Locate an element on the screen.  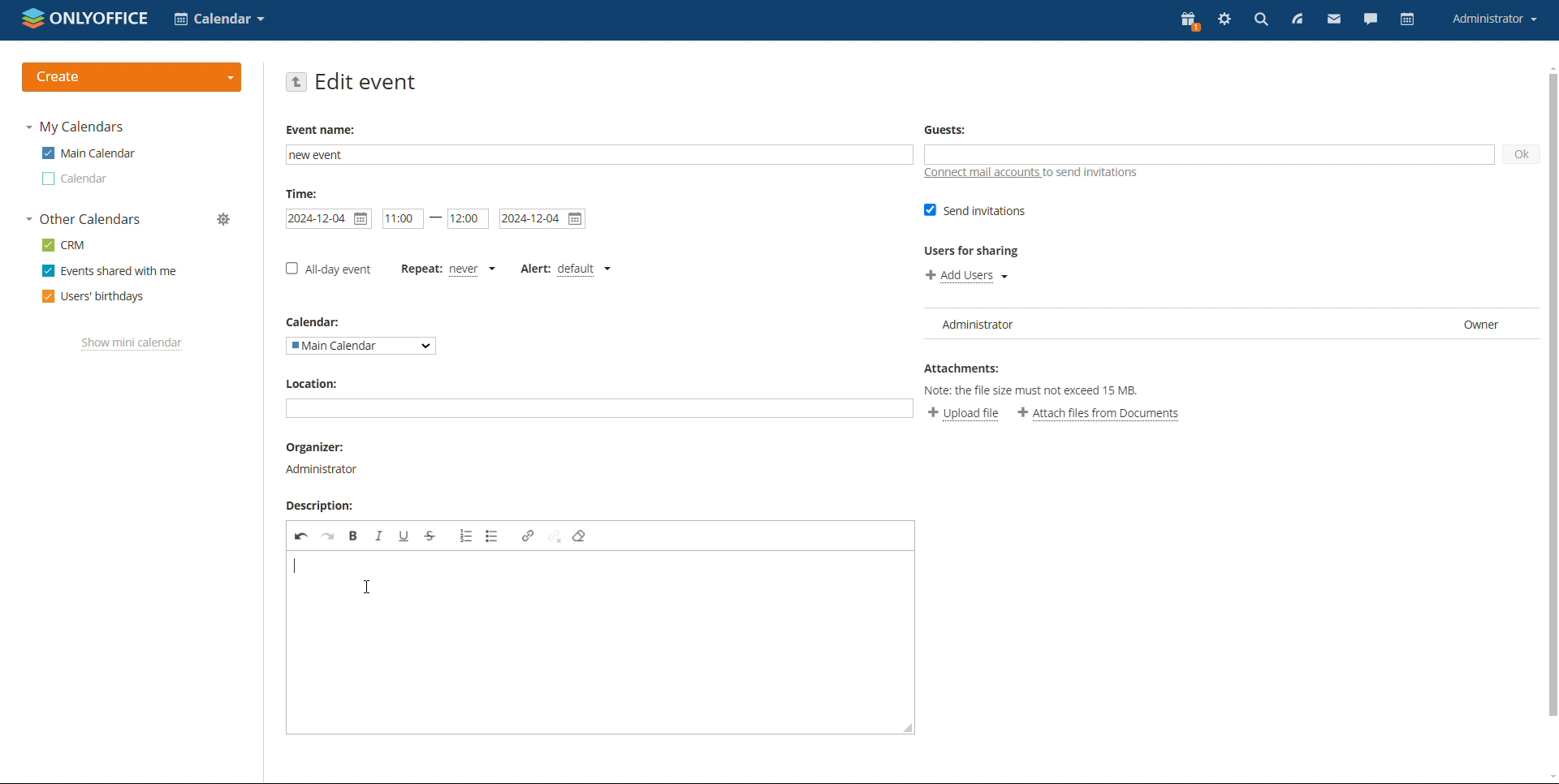
crm is located at coordinates (64, 244).